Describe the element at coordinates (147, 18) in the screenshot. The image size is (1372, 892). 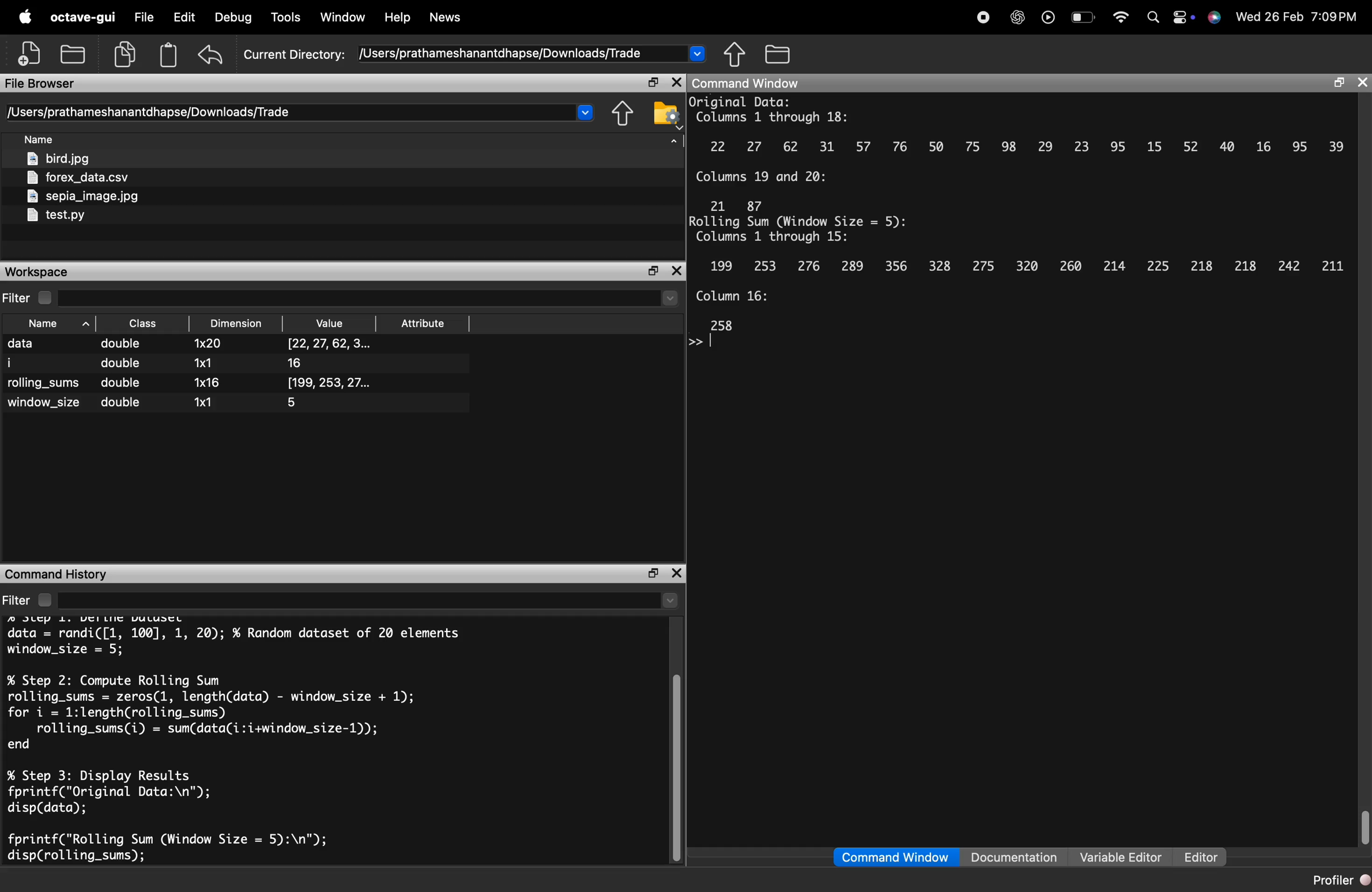
I see `file` at that location.